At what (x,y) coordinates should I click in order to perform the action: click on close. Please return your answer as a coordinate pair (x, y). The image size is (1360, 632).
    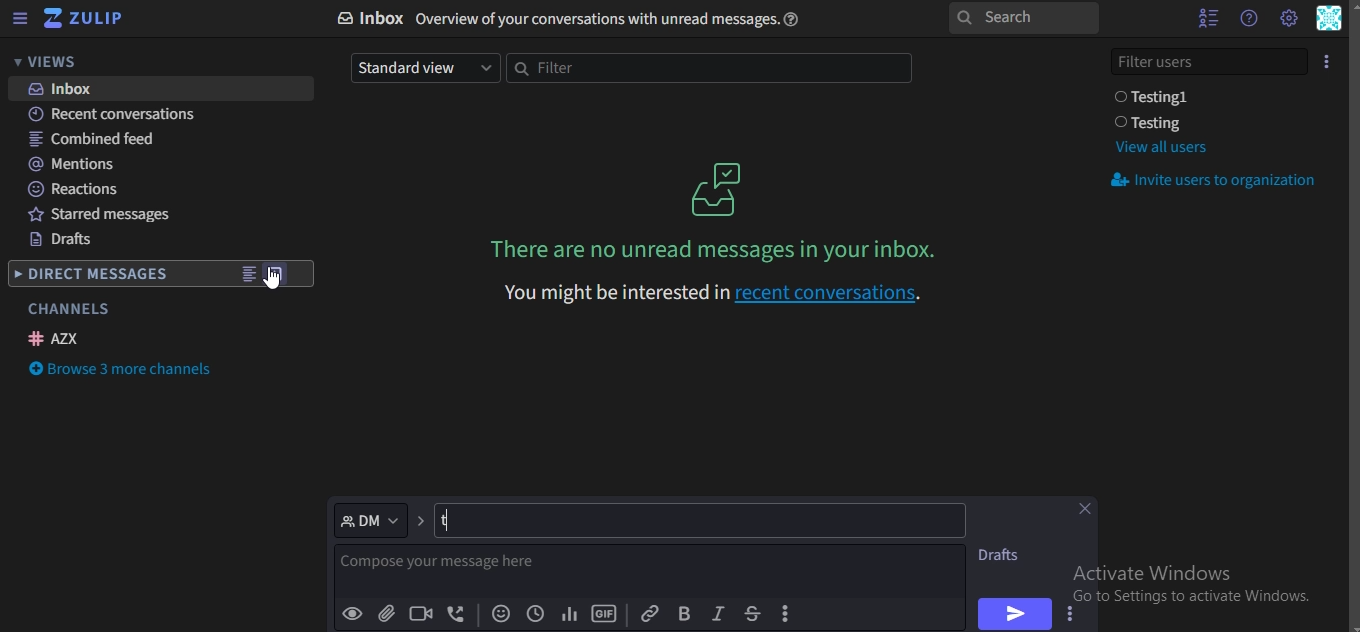
    Looking at the image, I should click on (1089, 511).